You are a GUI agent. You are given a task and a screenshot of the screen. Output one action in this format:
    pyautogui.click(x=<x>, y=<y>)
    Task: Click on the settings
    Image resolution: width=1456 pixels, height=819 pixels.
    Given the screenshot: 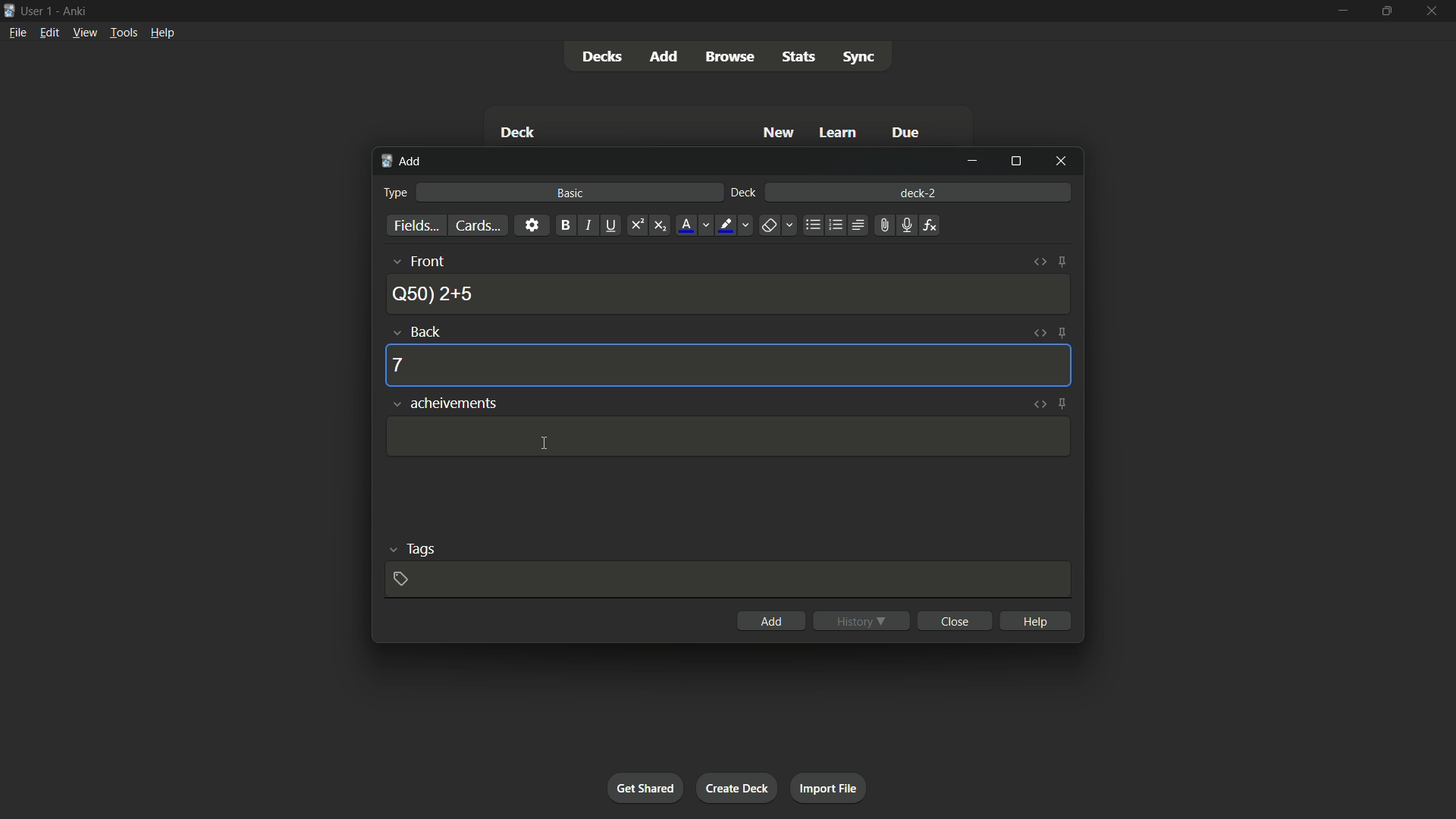 What is the action you would take?
    pyautogui.click(x=533, y=225)
    